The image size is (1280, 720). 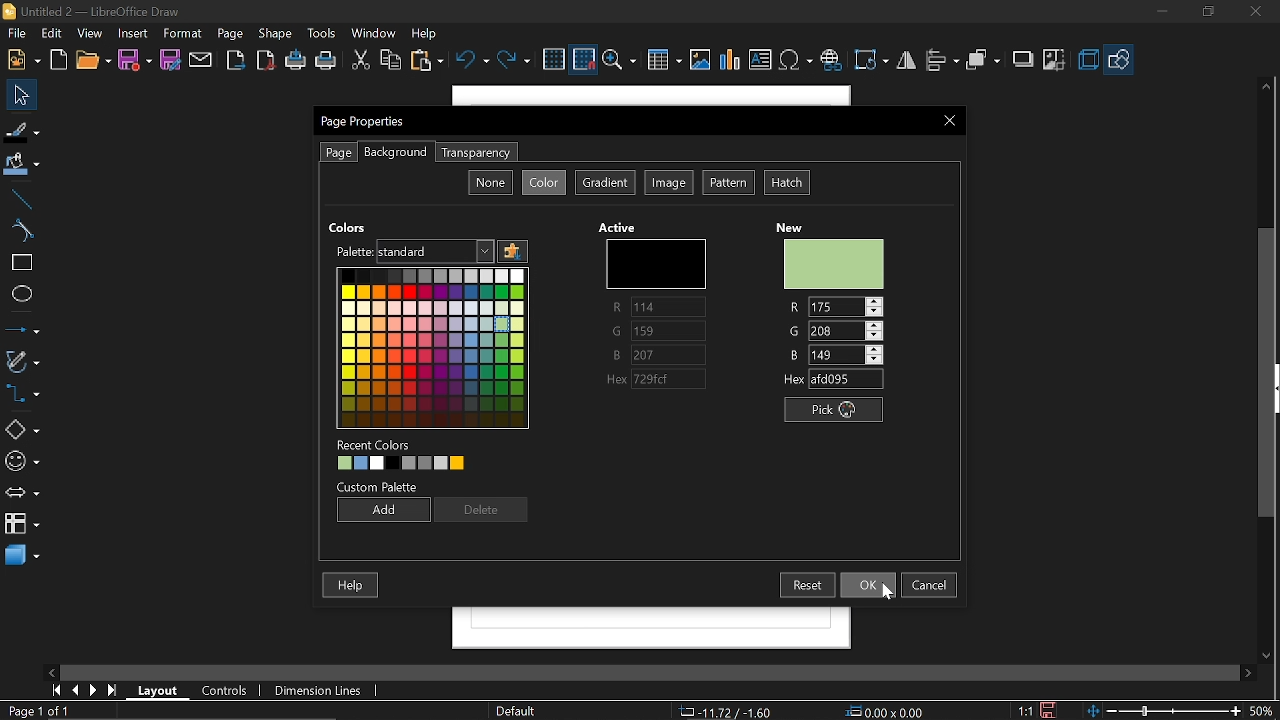 I want to click on View, so click(x=89, y=35).